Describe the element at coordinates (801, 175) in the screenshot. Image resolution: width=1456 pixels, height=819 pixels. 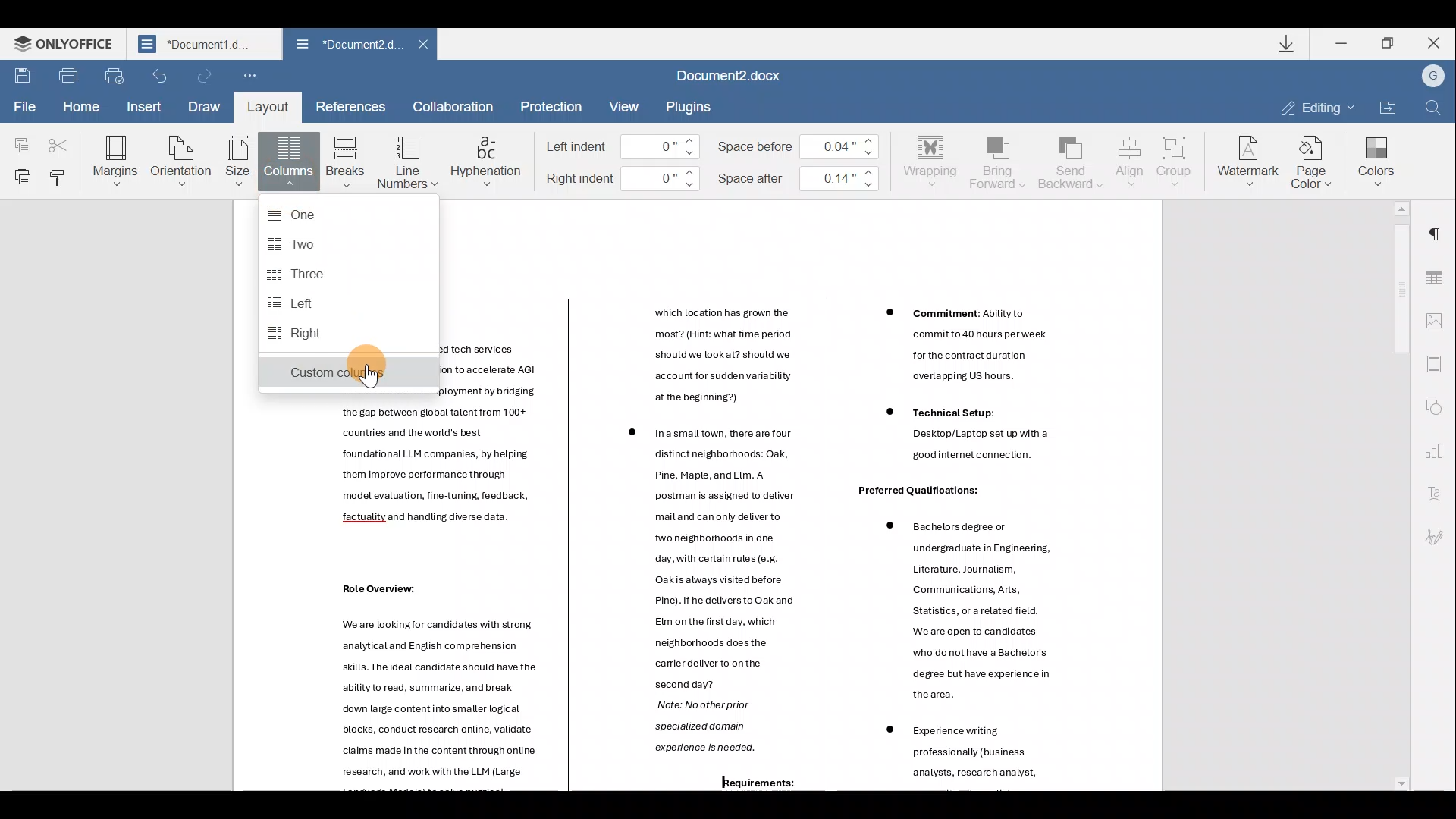
I see `Space after` at that location.